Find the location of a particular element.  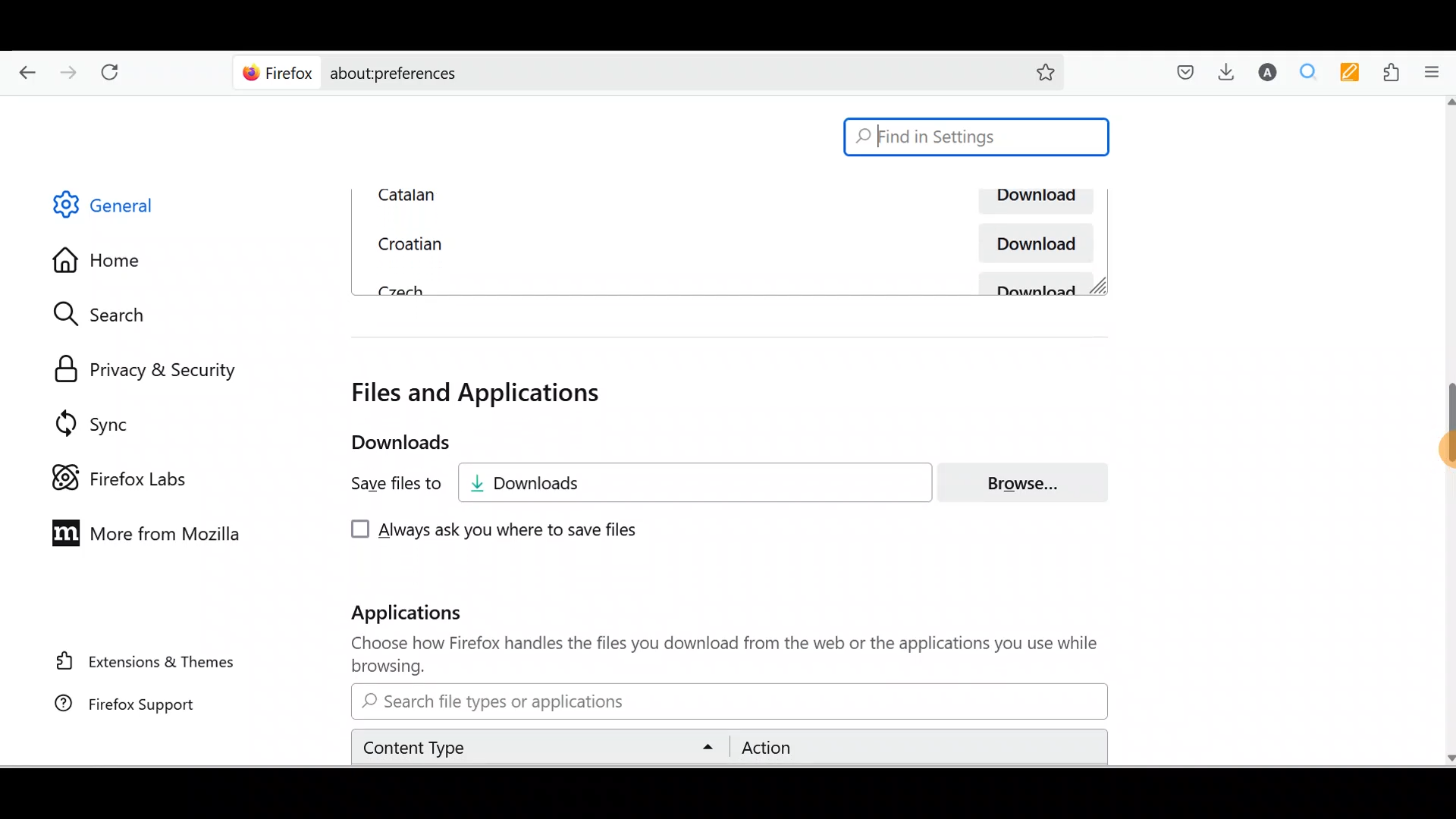

Save to pocket is located at coordinates (1179, 72).